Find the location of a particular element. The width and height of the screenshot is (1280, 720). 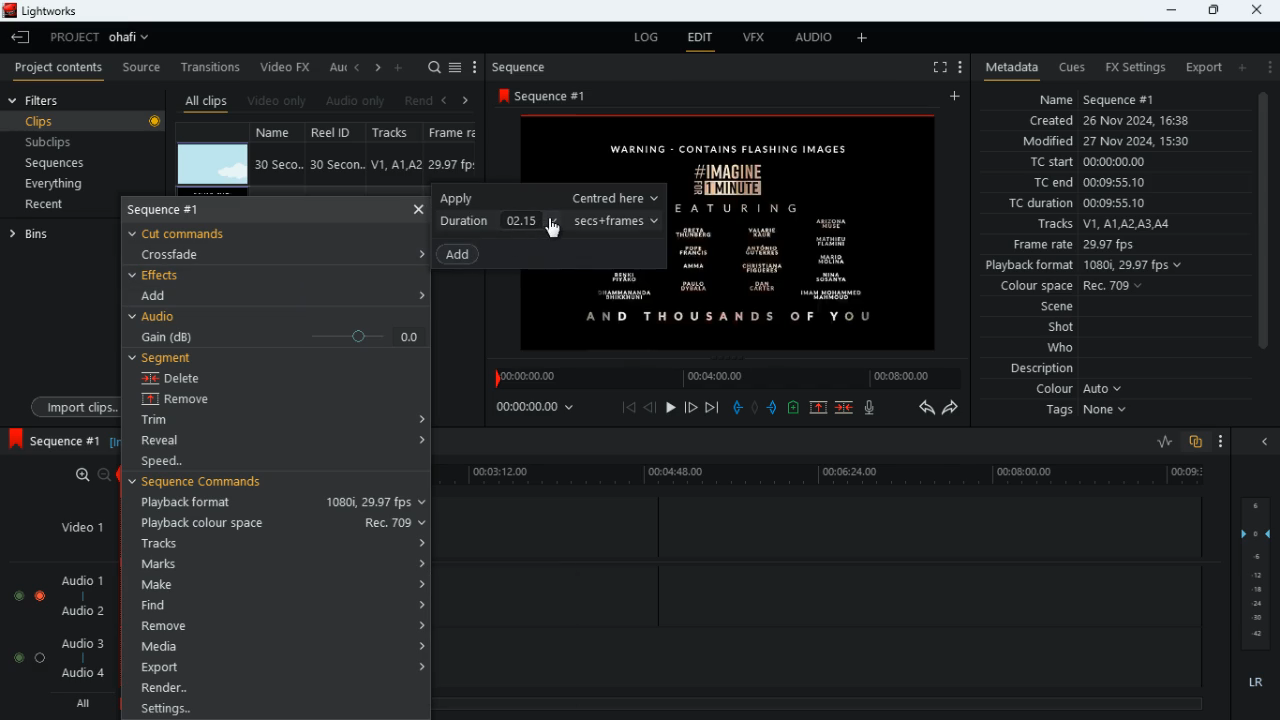

close is located at coordinates (1269, 443).